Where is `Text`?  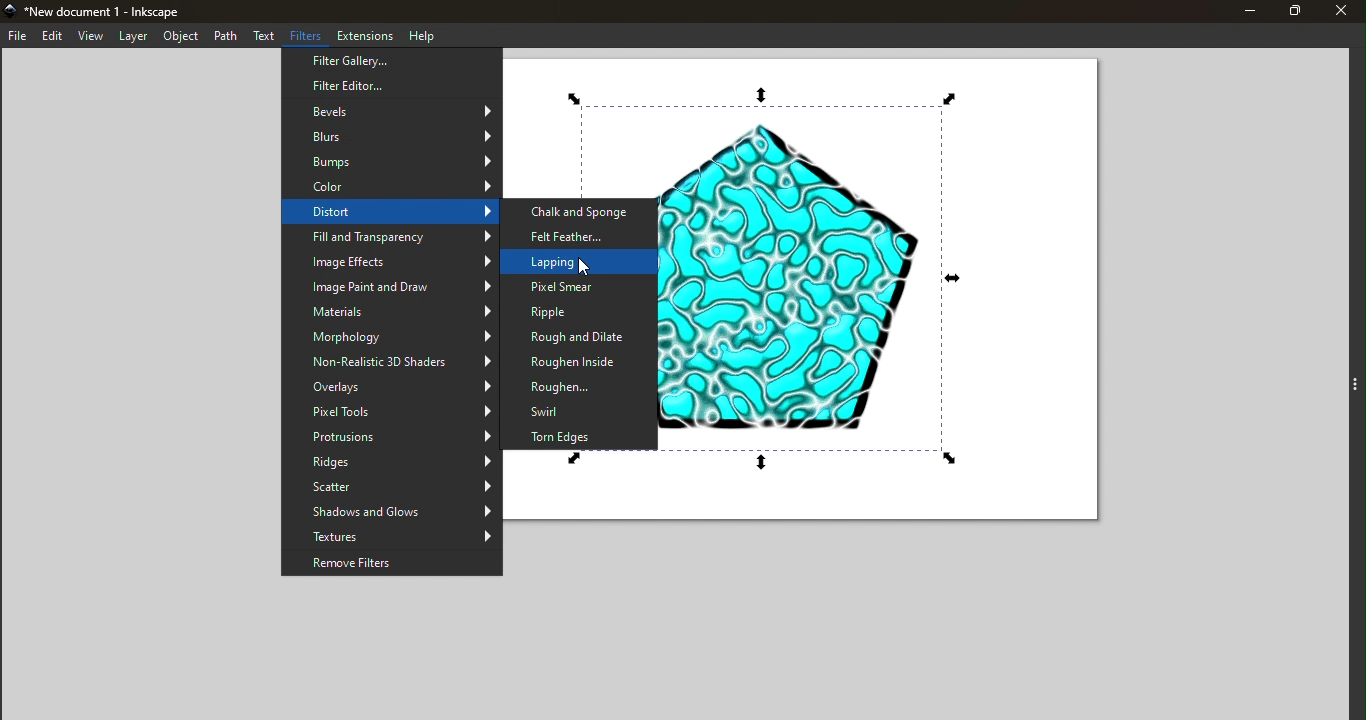 Text is located at coordinates (265, 37).